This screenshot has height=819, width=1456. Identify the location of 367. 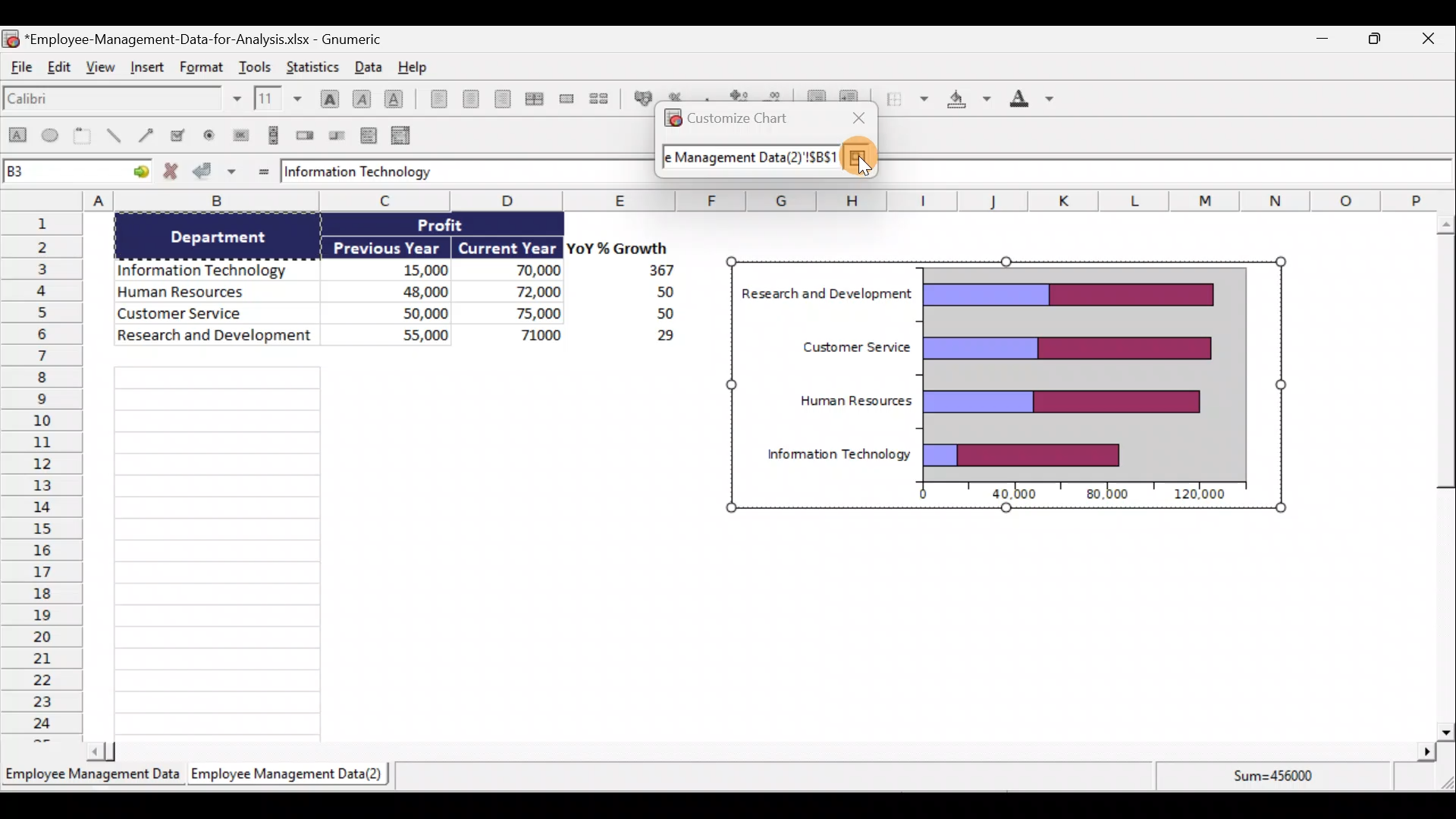
(656, 271).